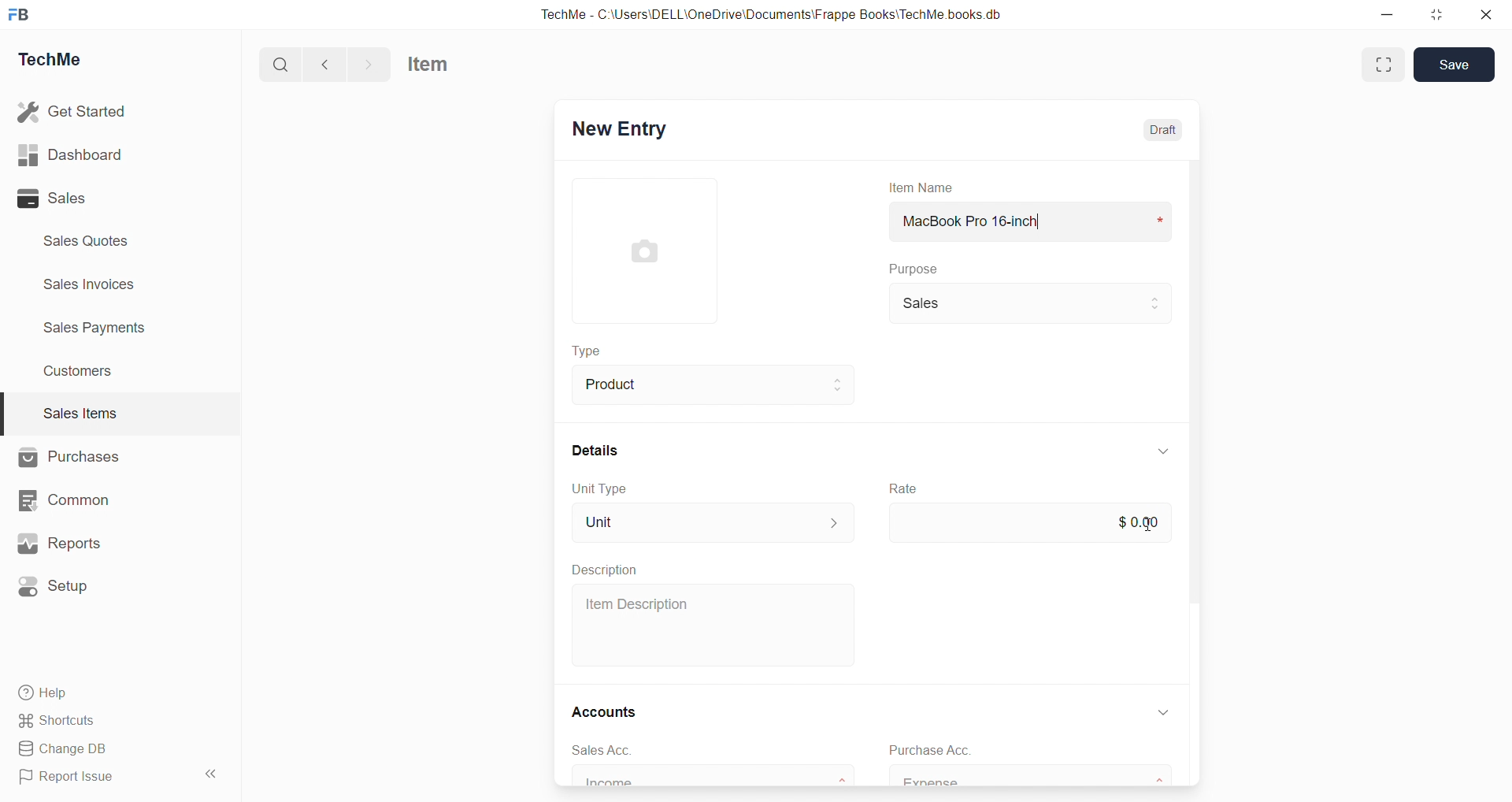 This screenshot has width=1512, height=802. I want to click on Unit Type, so click(600, 490).